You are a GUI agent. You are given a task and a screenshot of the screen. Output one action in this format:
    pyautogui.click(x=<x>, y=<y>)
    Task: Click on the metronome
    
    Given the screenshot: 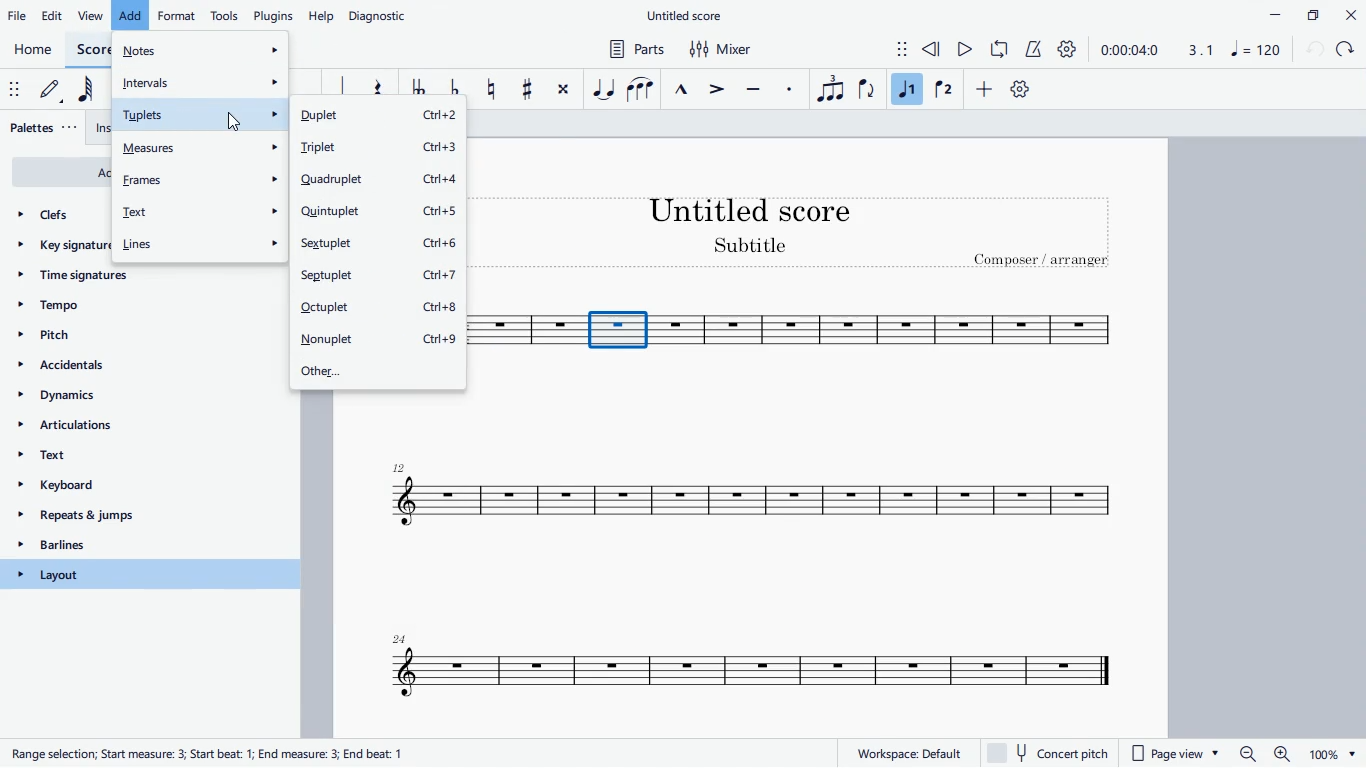 What is the action you would take?
    pyautogui.click(x=1035, y=50)
    